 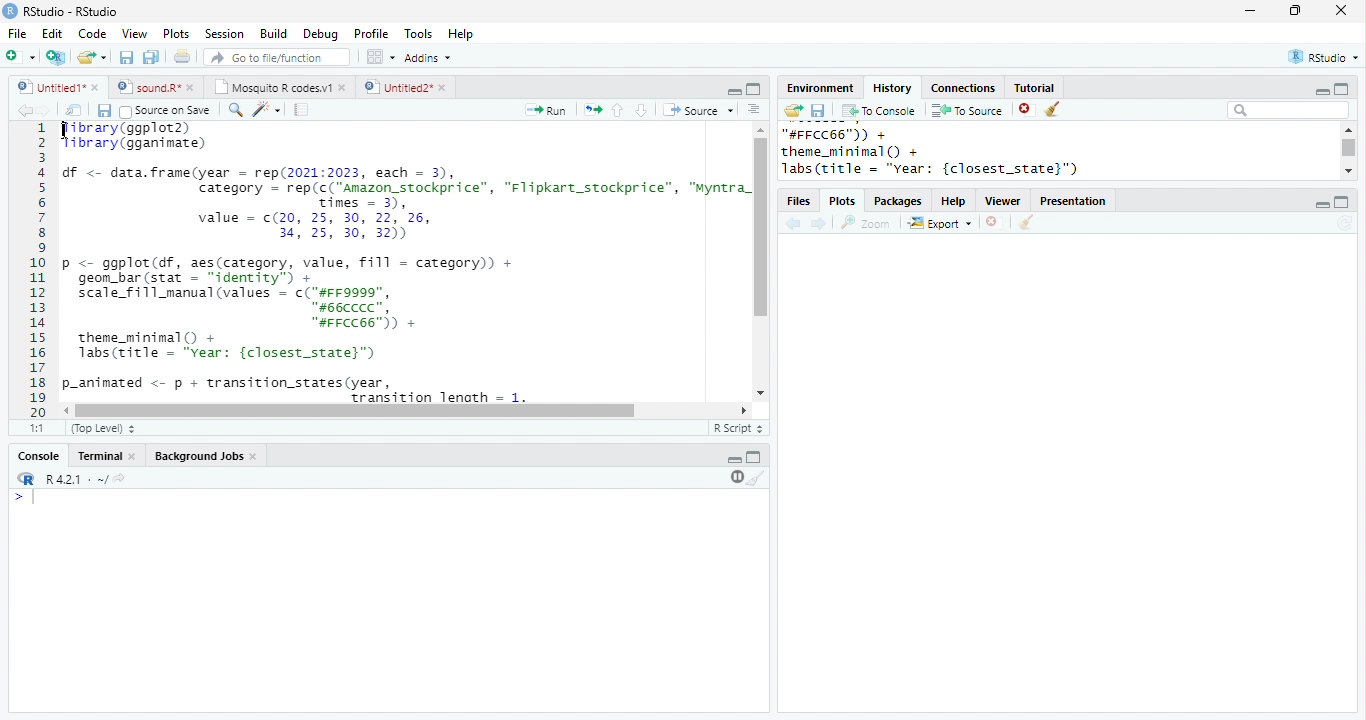 I want to click on close, so click(x=443, y=87).